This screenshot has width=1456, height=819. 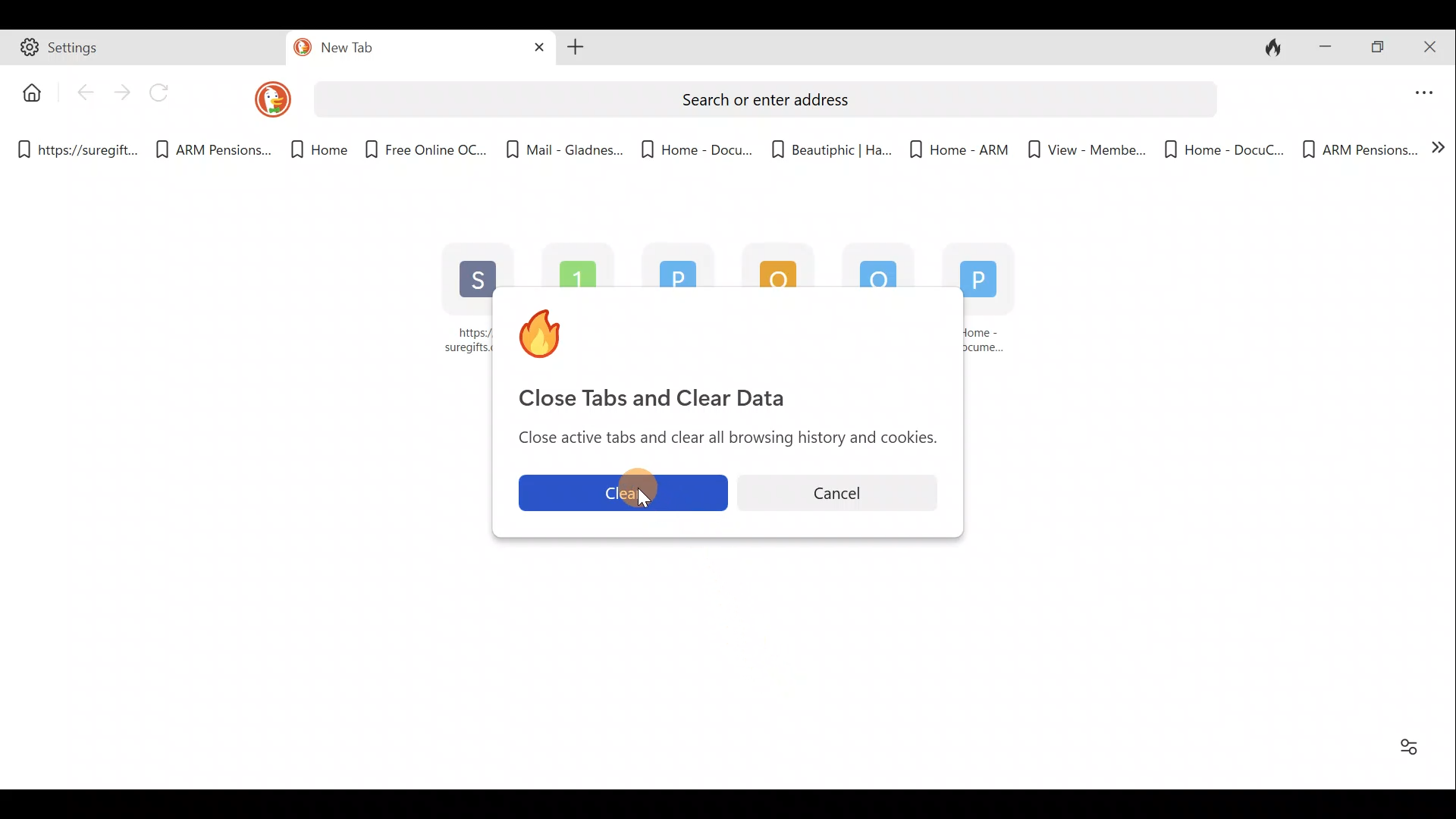 What do you see at coordinates (828, 146) in the screenshot?
I see `Beautiphic | Ha` at bounding box center [828, 146].